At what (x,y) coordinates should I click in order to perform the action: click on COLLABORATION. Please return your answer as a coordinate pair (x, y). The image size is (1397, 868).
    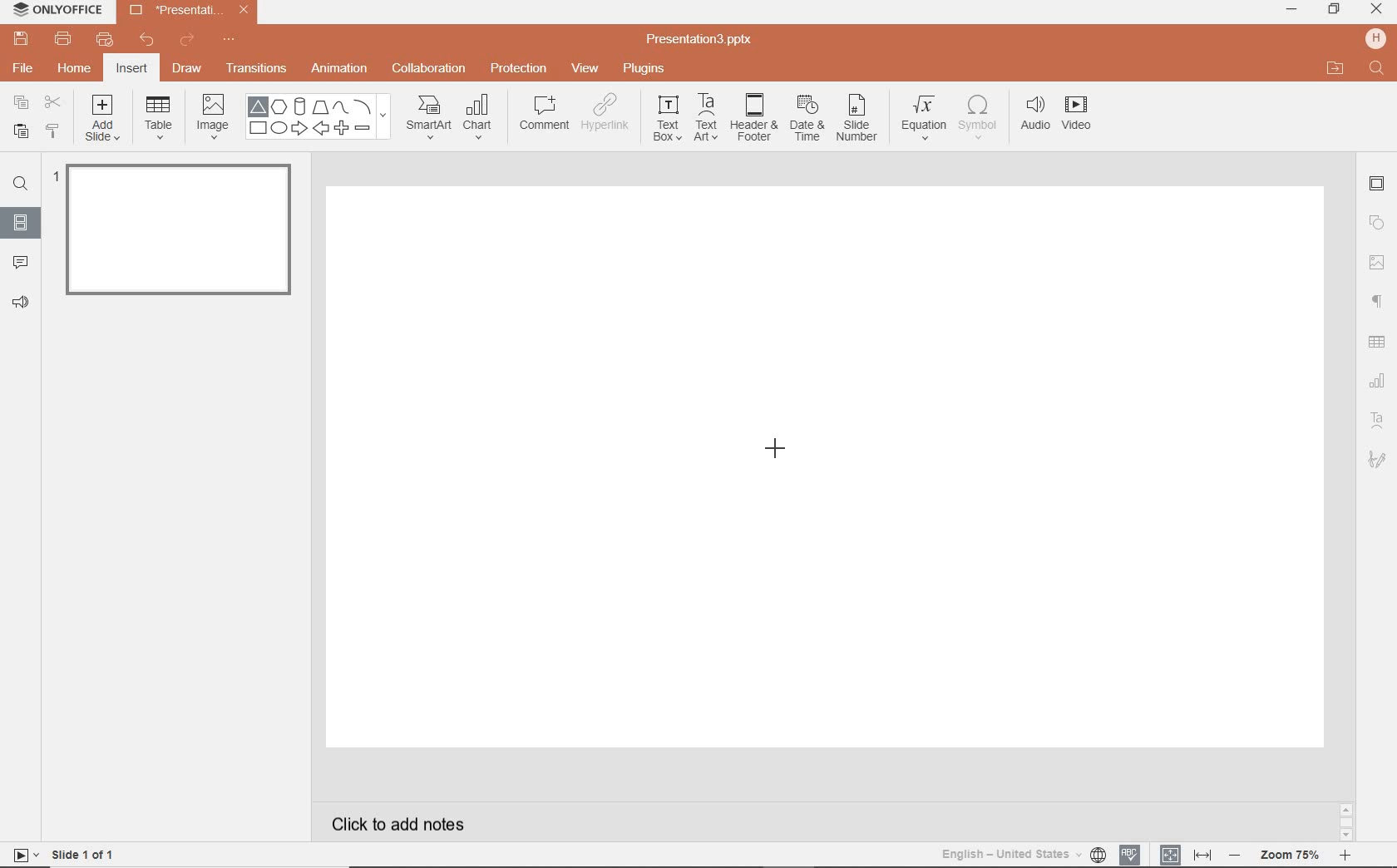
    Looking at the image, I should click on (434, 70).